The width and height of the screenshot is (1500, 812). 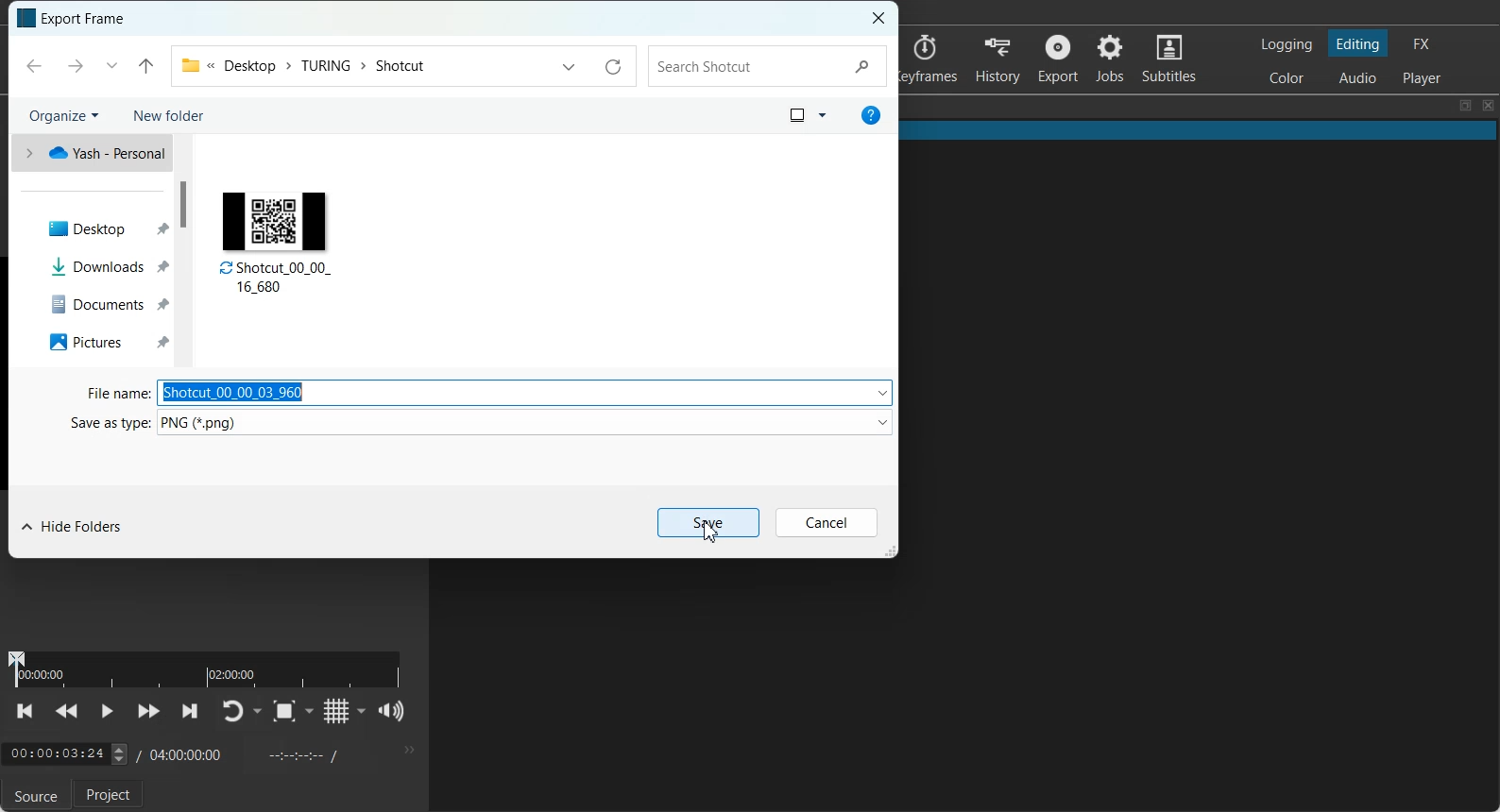 I want to click on Pictures, so click(x=100, y=342).